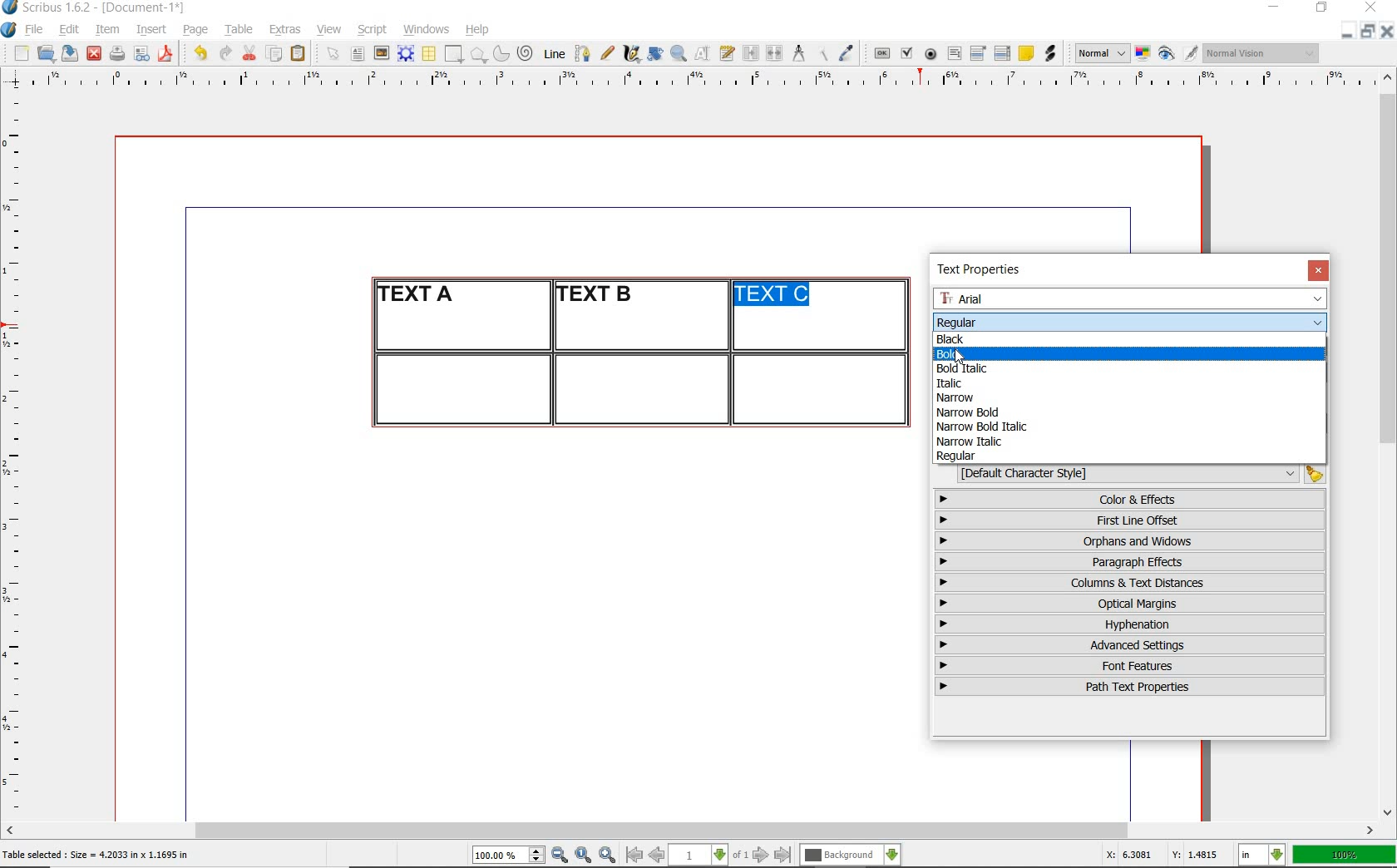 This screenshot has width=1397, height=868. I want to click on copy, so click(275, 55).